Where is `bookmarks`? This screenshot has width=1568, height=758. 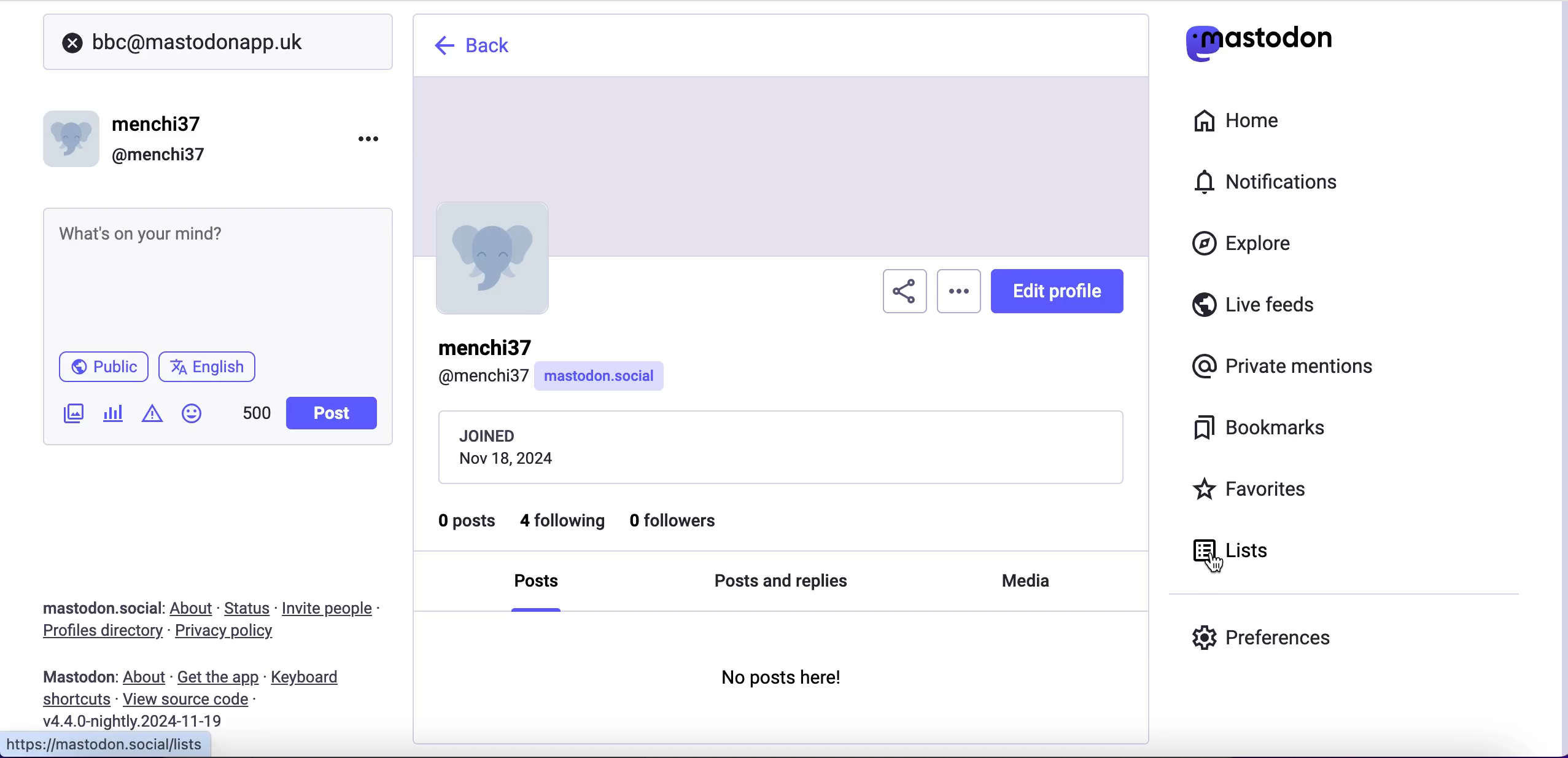
bookmarks is located at coordinates (1252, 430).